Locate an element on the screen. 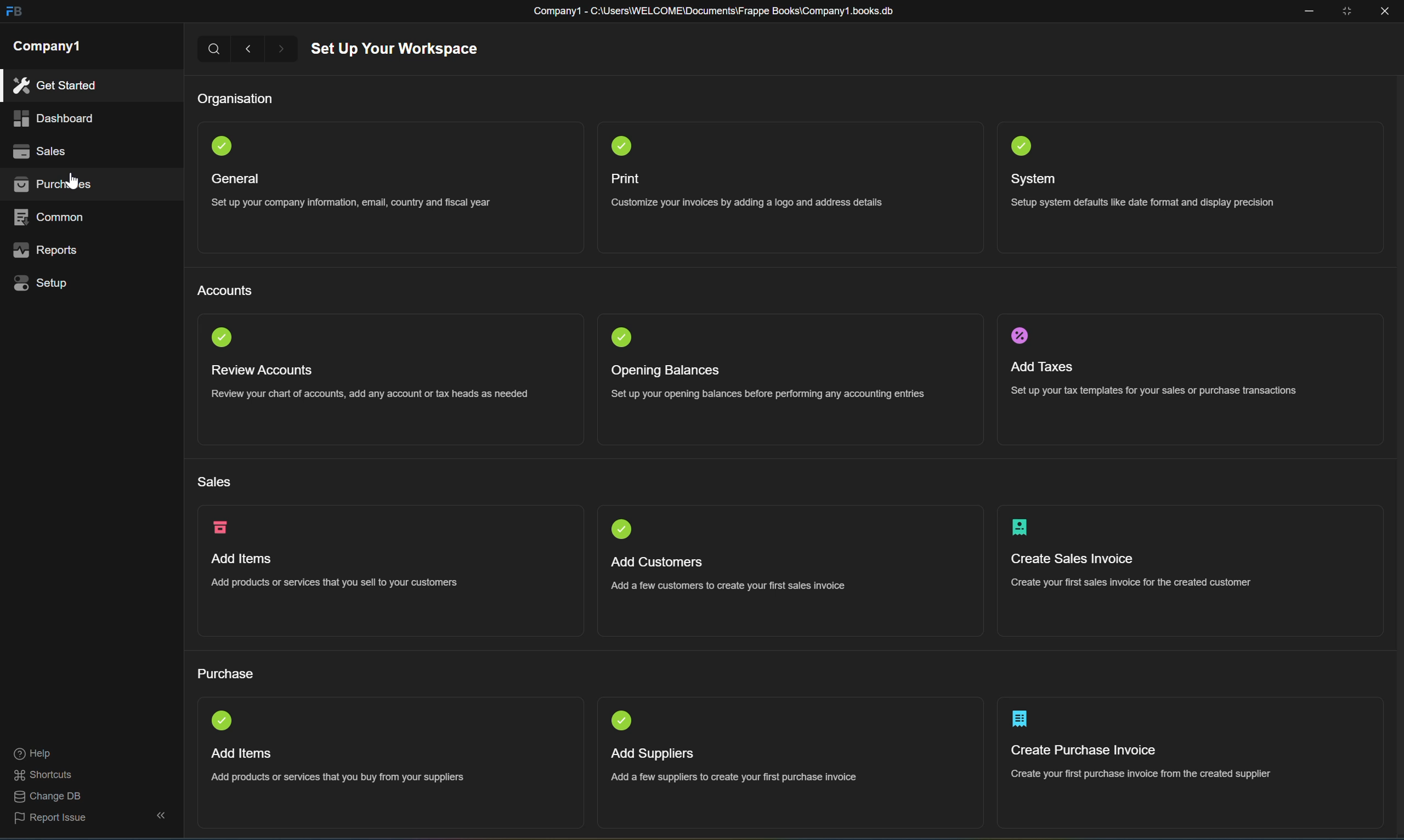  logo is located at coordinates (1020, 336).